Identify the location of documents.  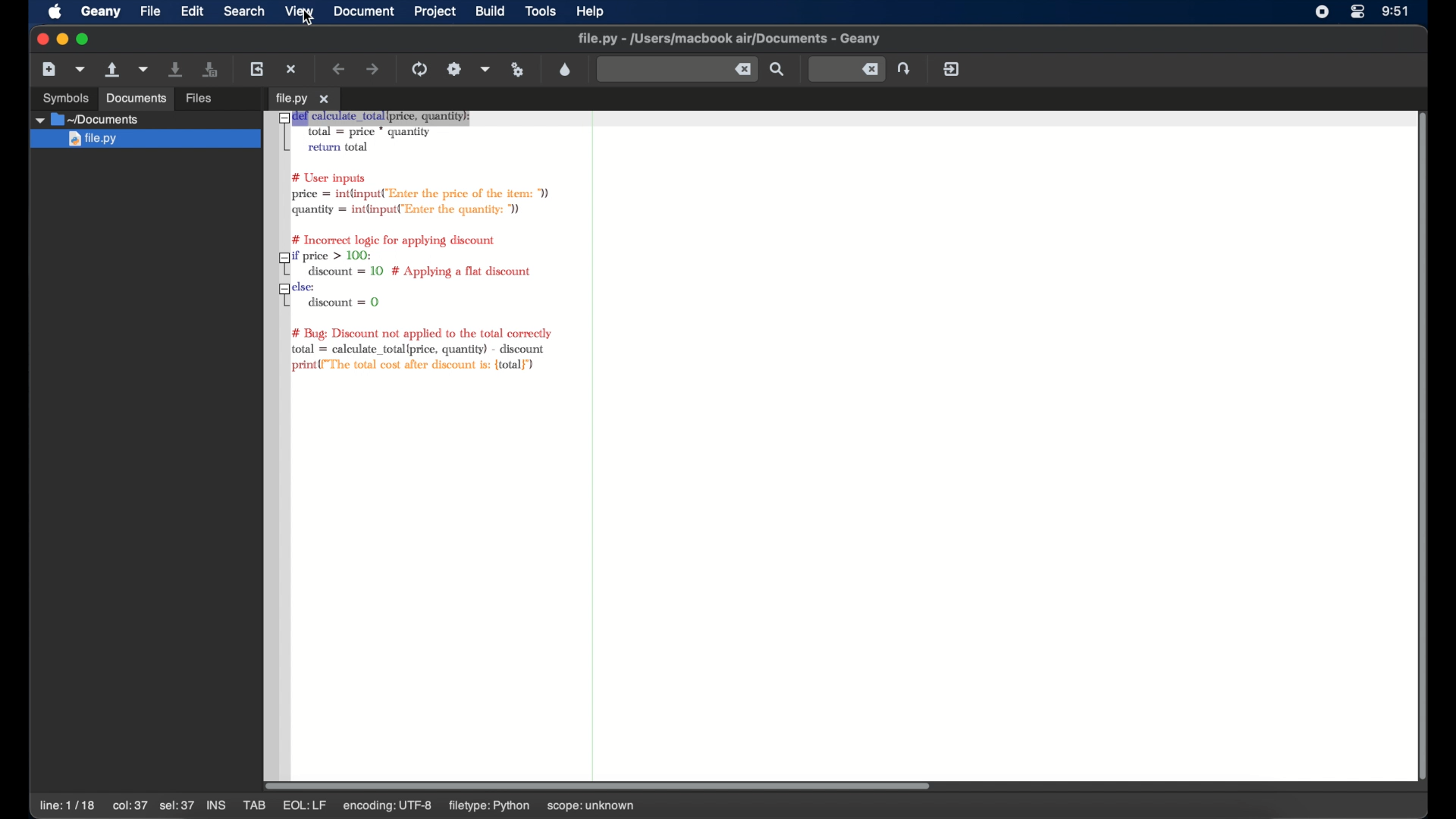
(87, 120).